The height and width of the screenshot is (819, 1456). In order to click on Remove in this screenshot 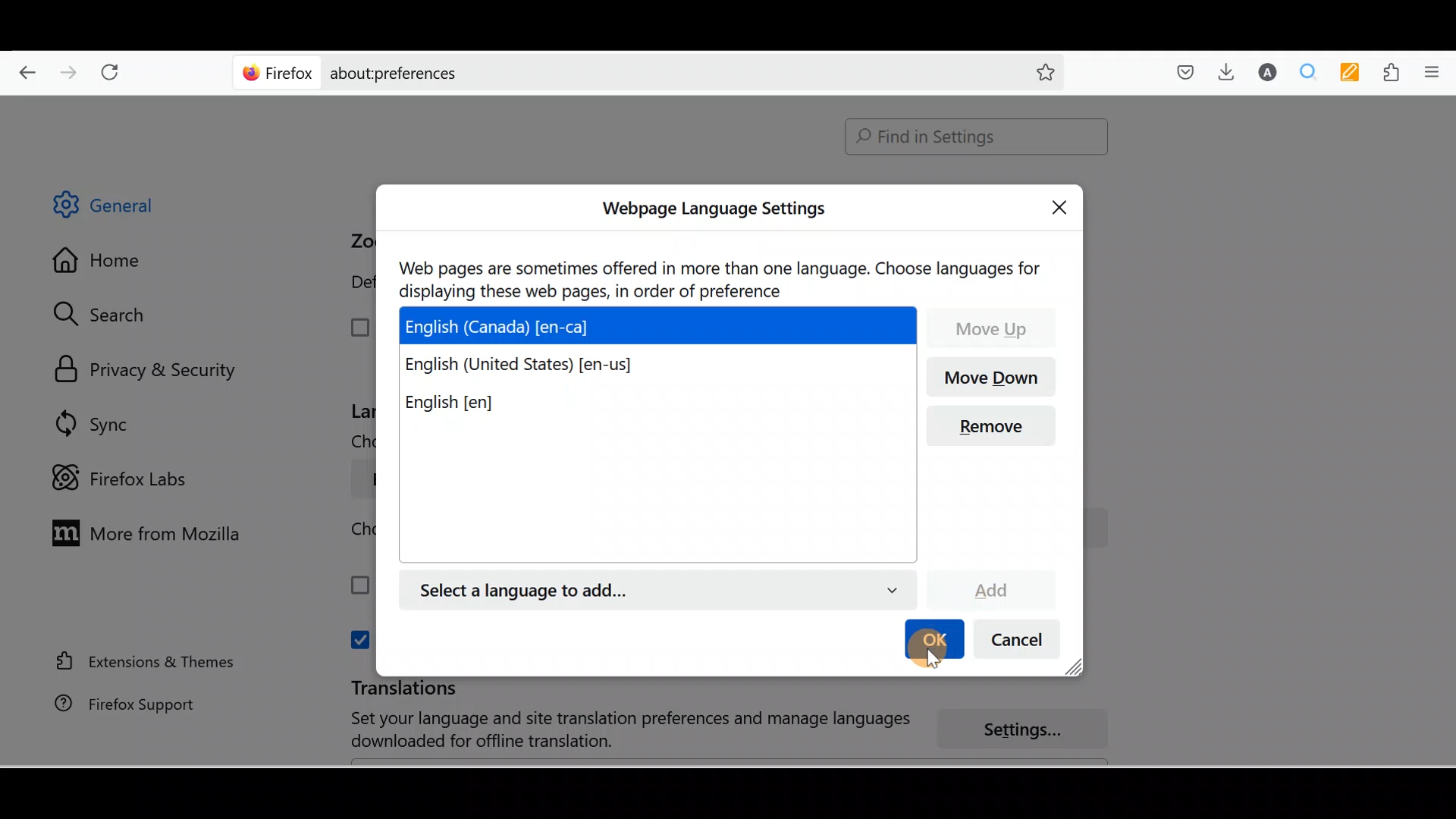, I will do `click(998, 426)`.